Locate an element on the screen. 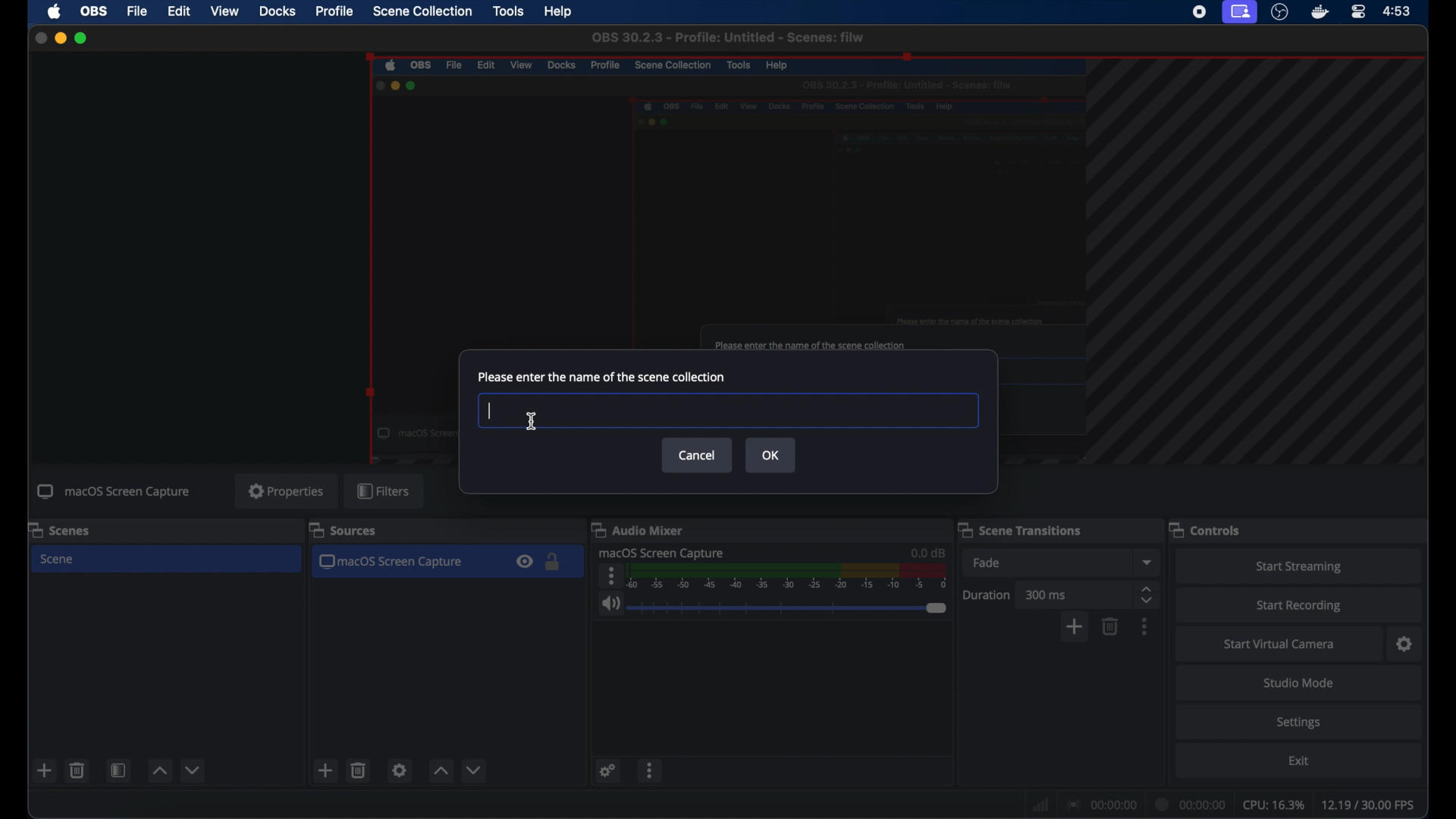  tools is located at coordinates (508, 11).